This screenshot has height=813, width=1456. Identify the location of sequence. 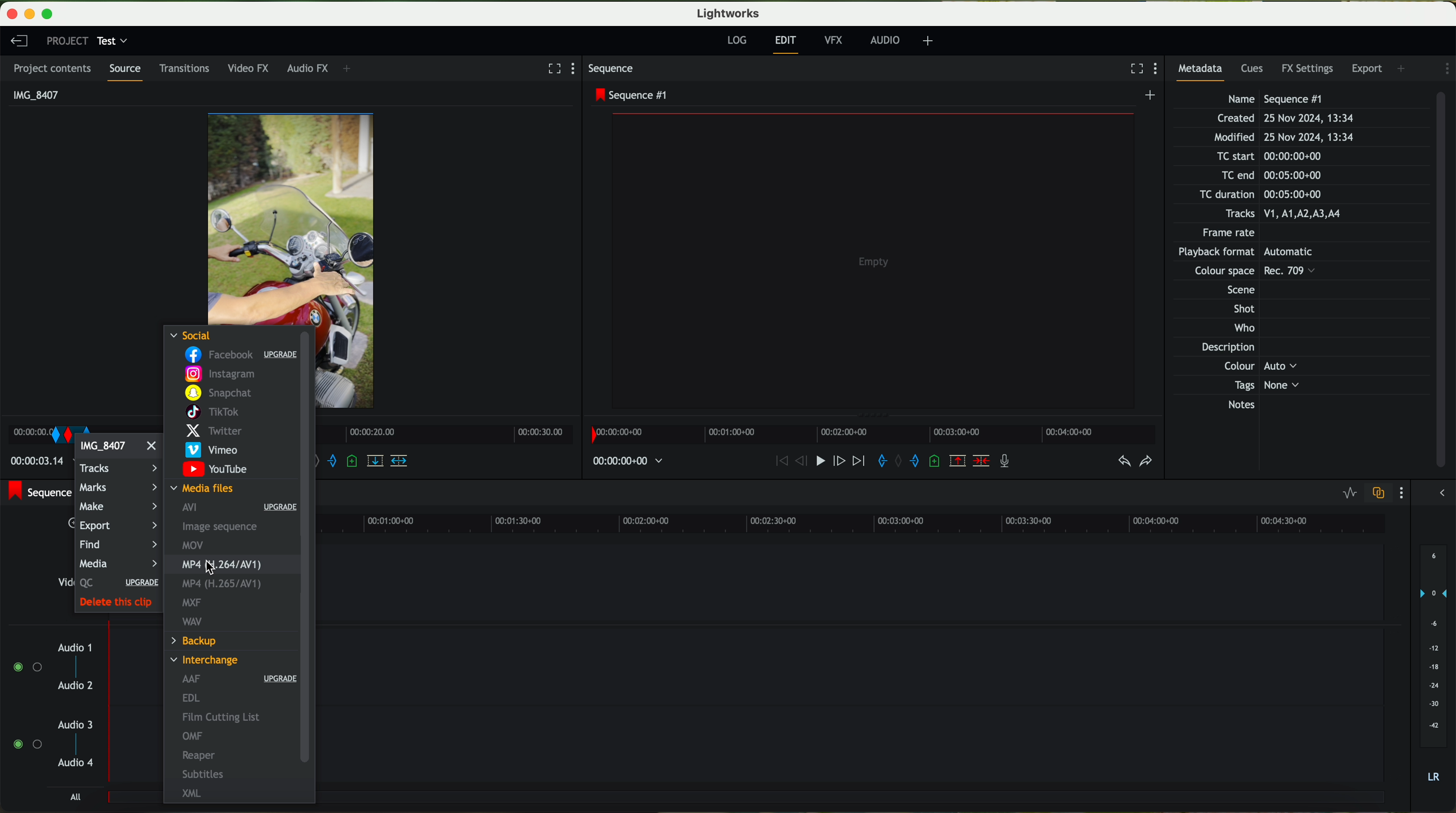
(615, 70).